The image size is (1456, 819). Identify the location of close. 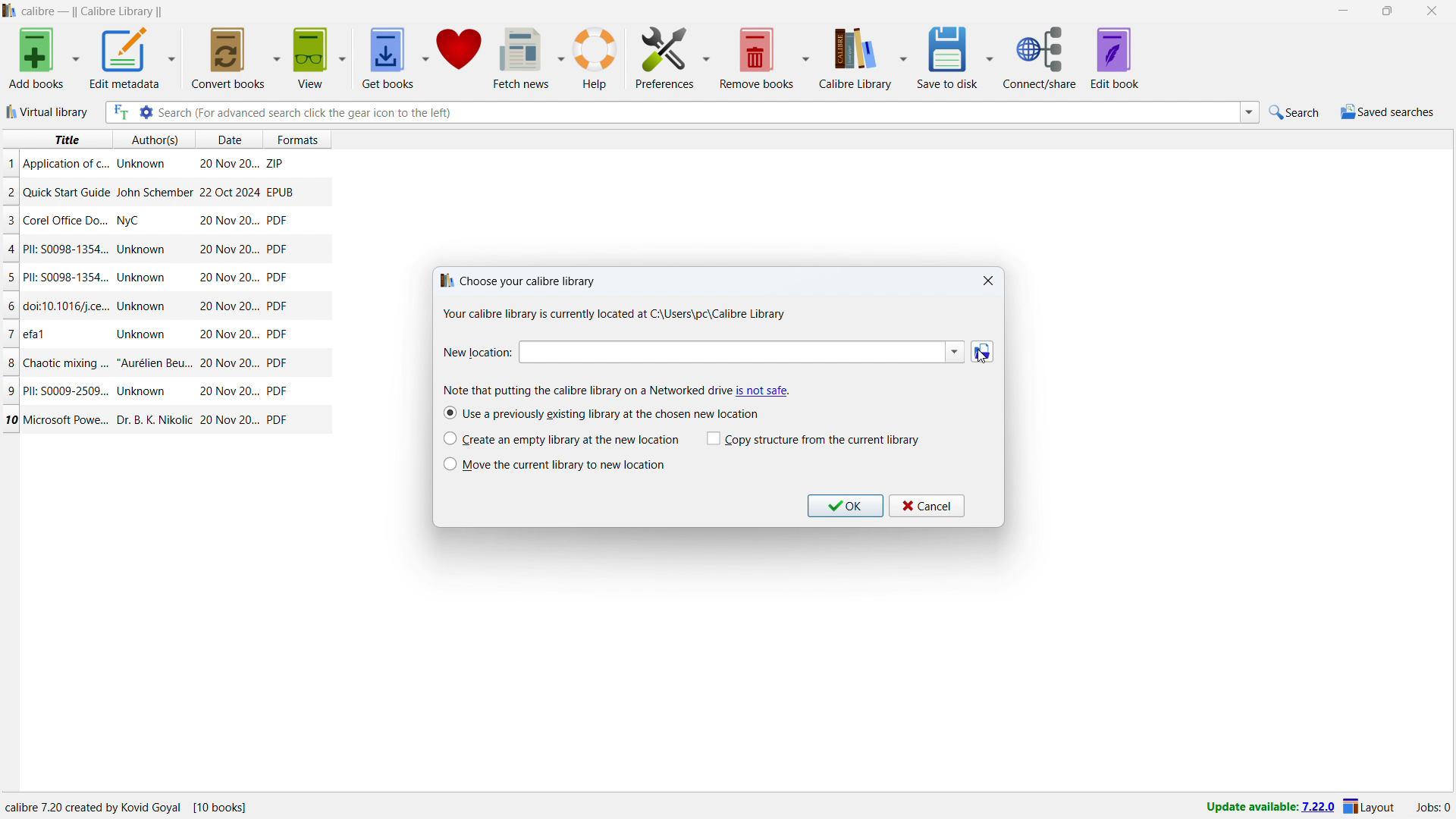
(989, 281).